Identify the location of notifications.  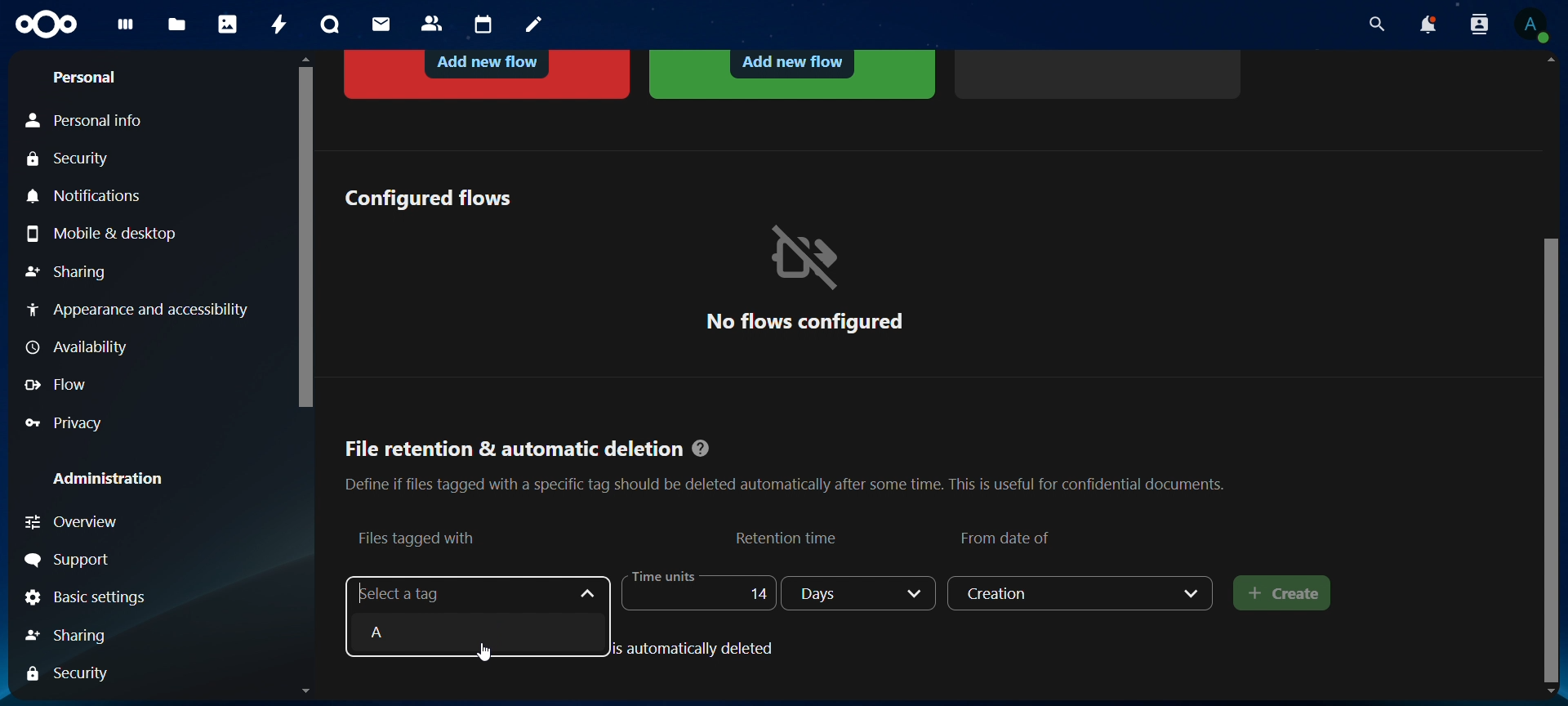
(1427, 25).